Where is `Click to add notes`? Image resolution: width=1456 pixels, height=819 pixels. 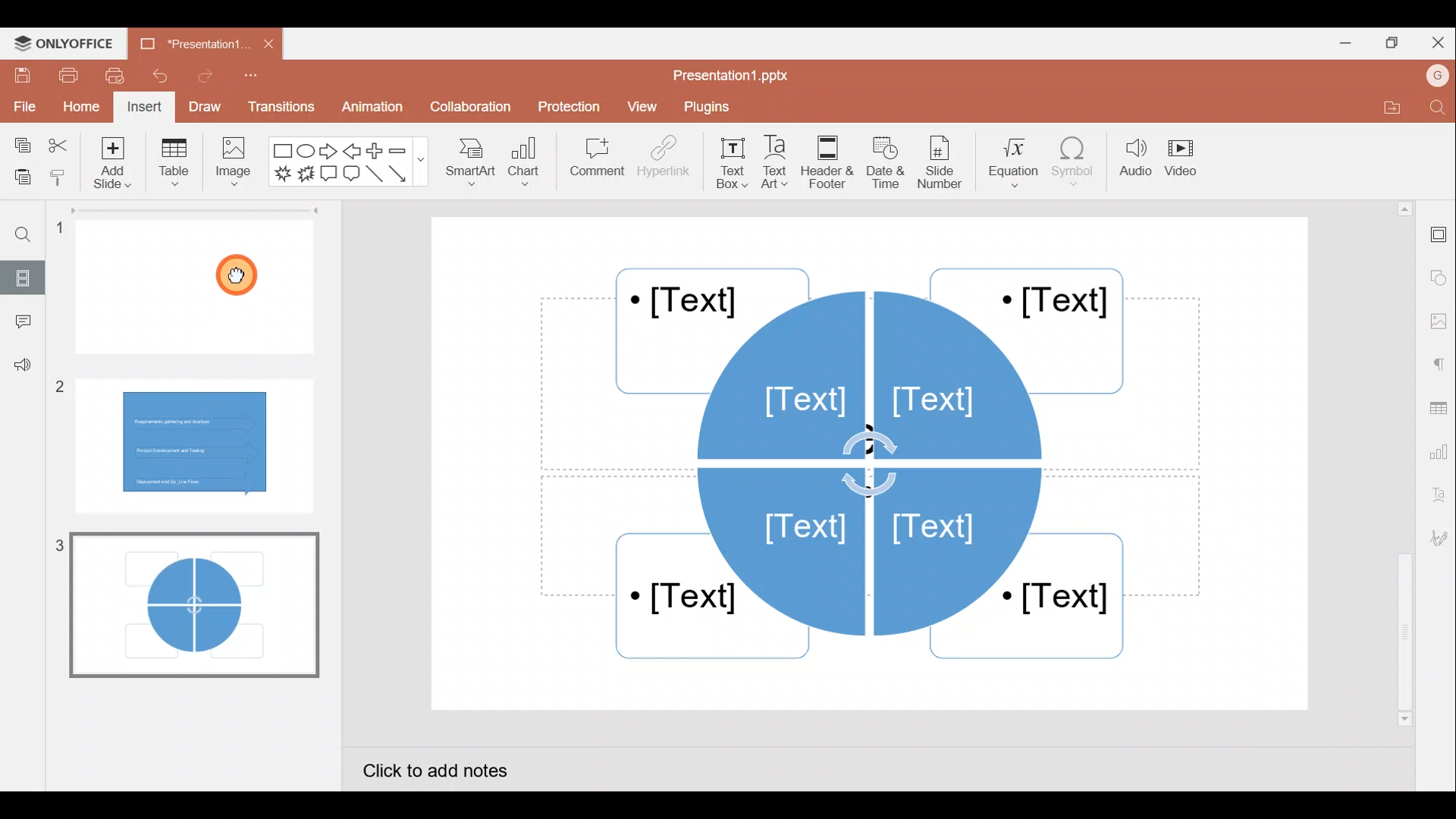
Click to add notes is located at coordinates (450, 767).